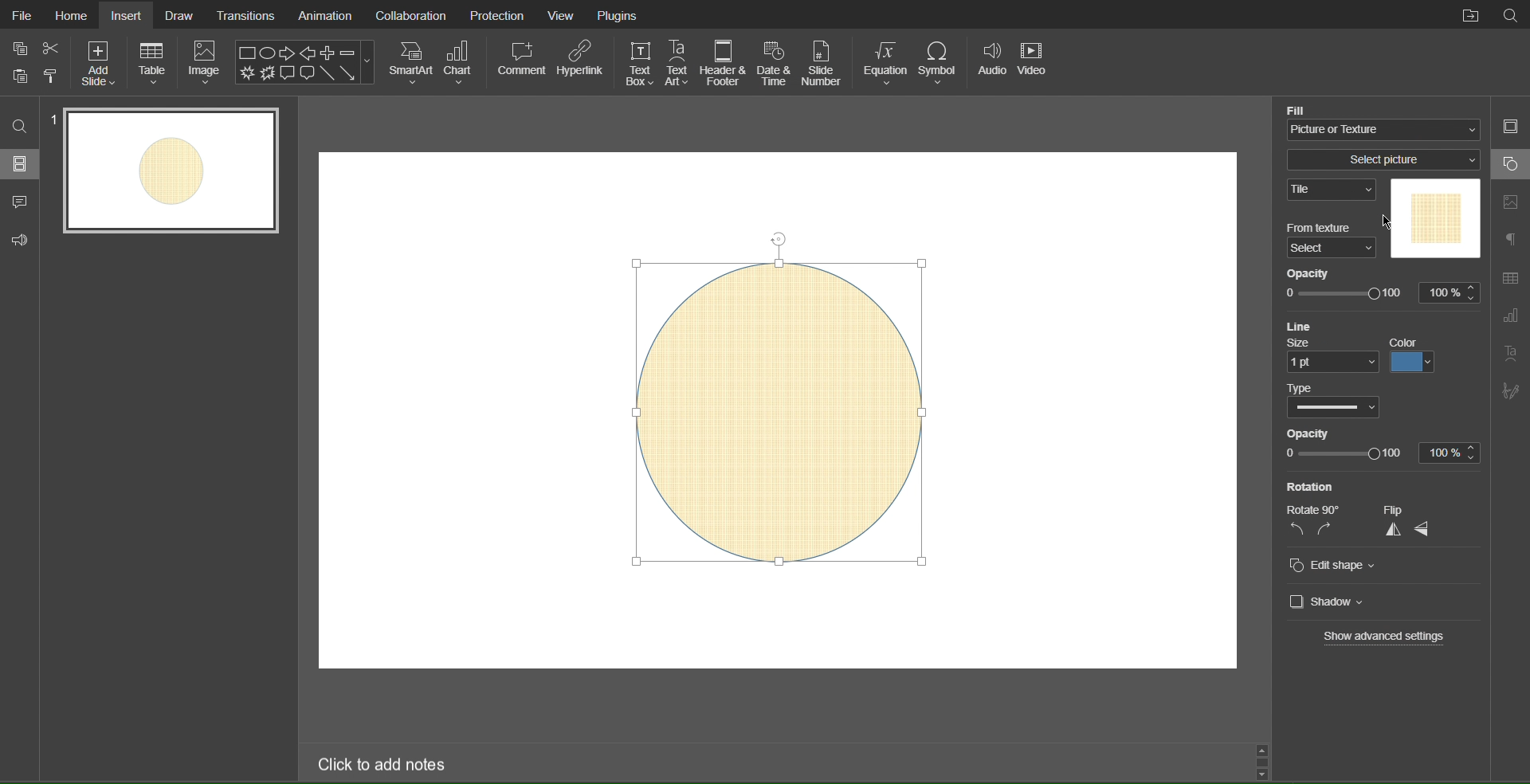 Image resolution: width=1530 pixels, height=784 pixels. I want to click on copy, so click(23, 78).